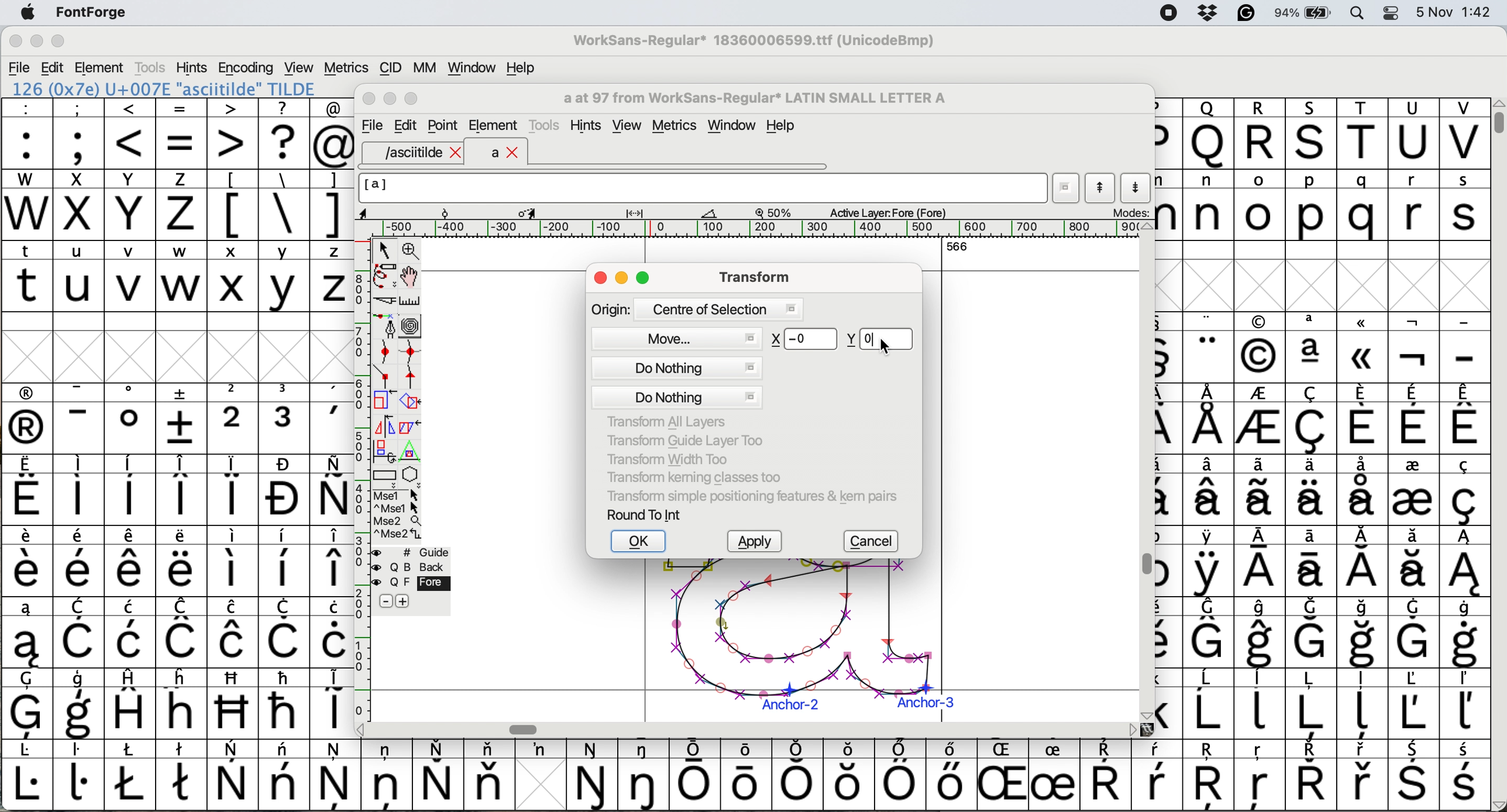  Describe the element at coordinates (285, 632) in the screenshot. I see `symbol` at that location.